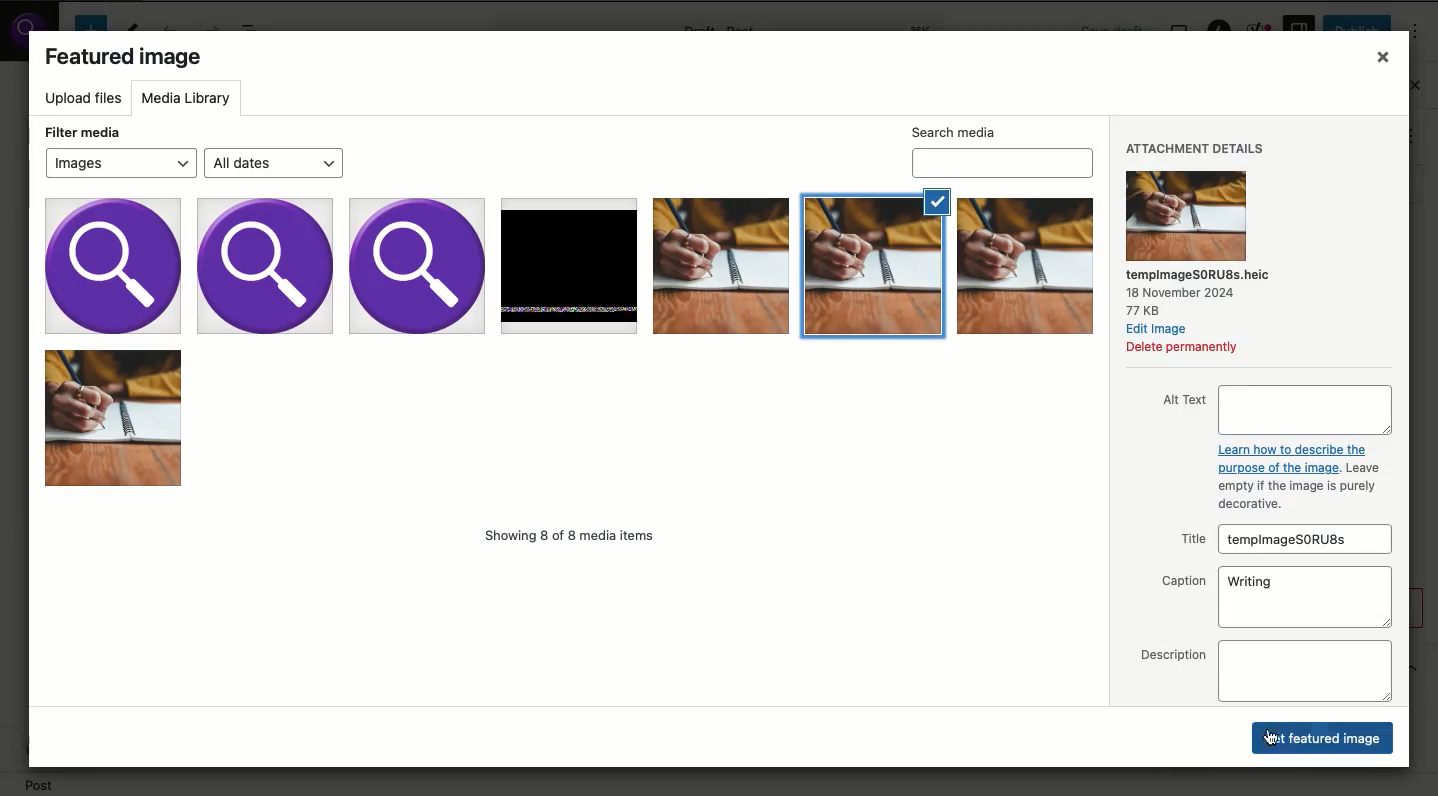 The image size is (1438, 796). What do you see at coordinates (567, 264) in the screenshot?
I see `Image` at bounding box center [567, 264].